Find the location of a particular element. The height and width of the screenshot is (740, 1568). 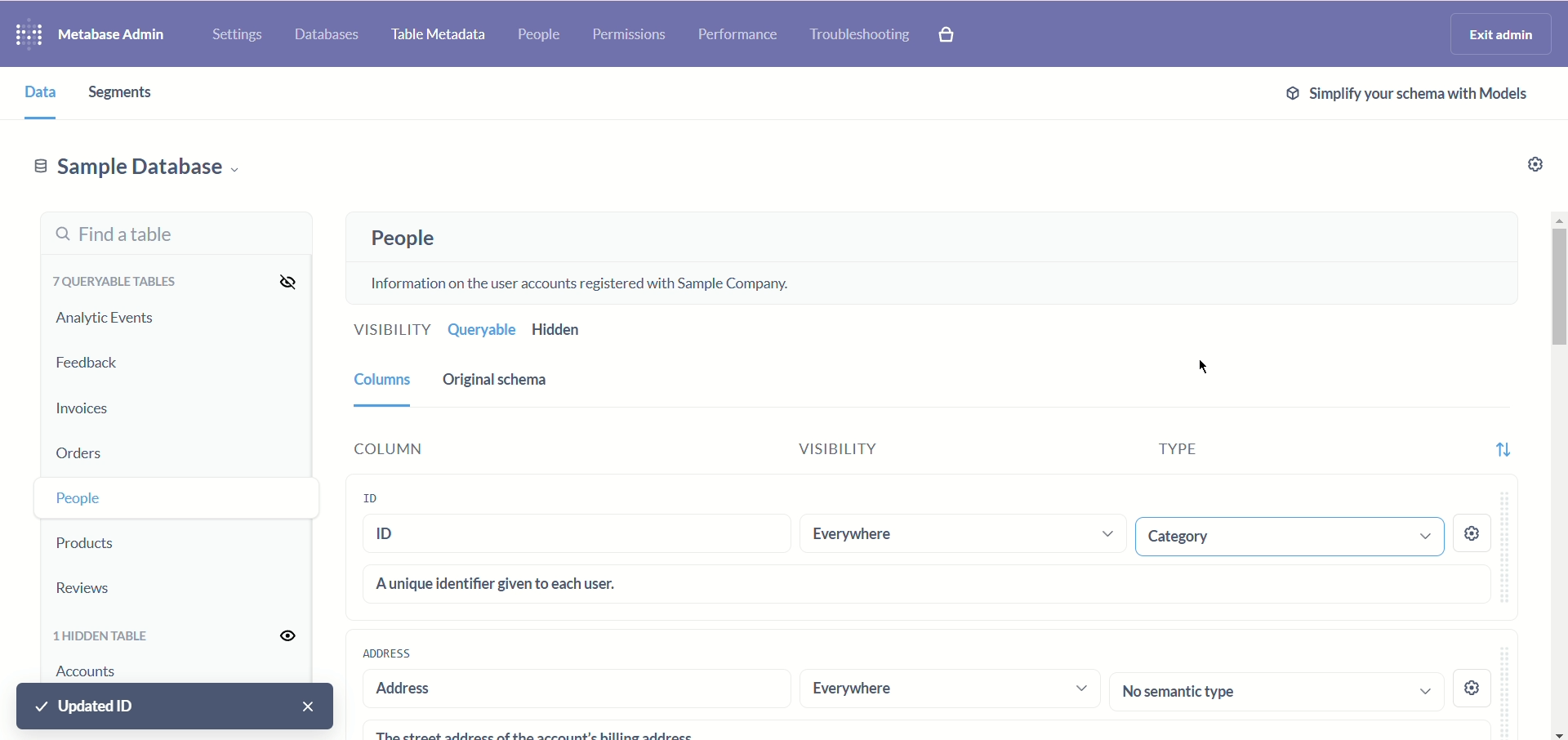

Reviews is located at coordinates (110, 587).